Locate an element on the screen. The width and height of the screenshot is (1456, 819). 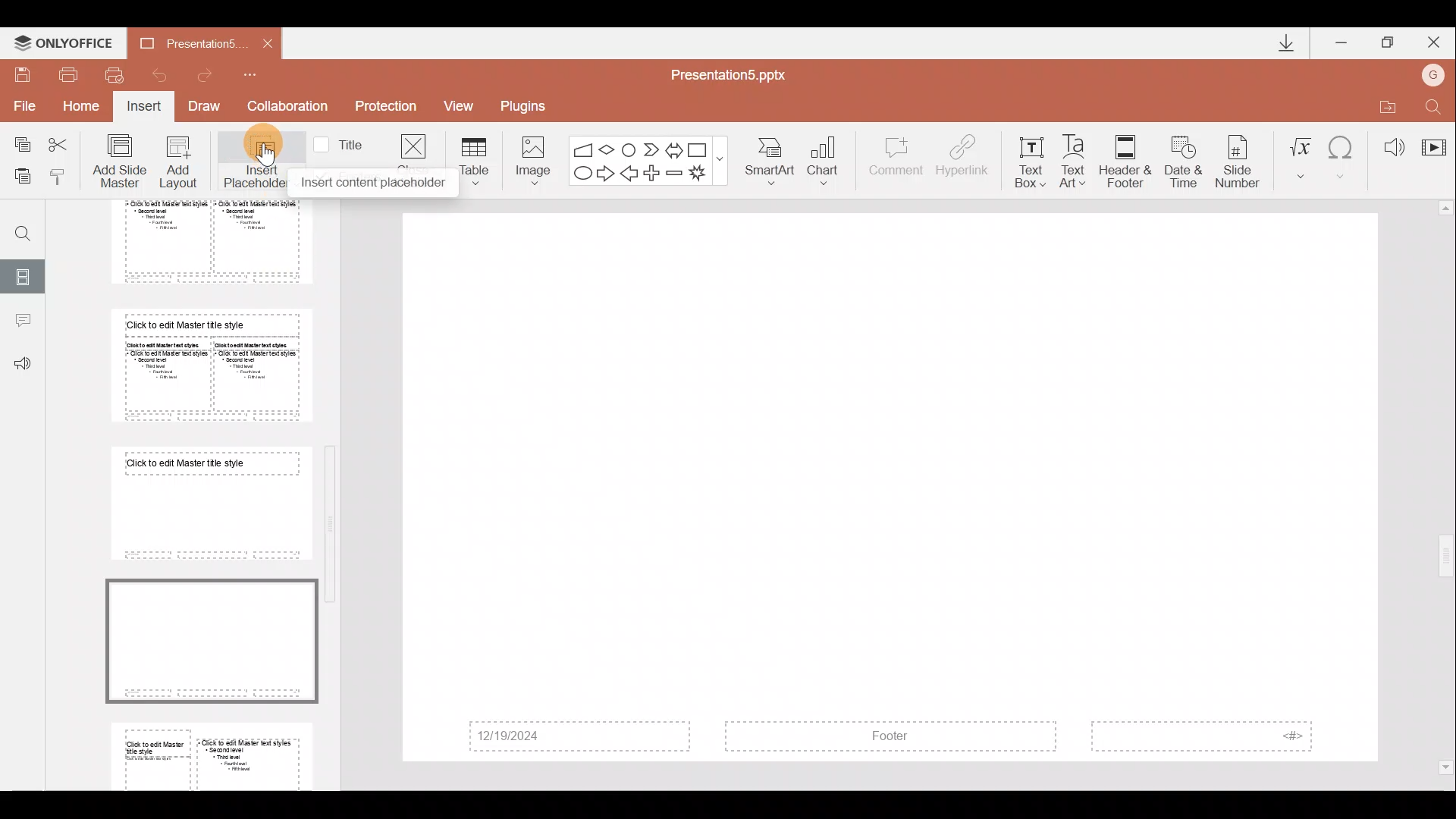
Close is located at coordinates (1436, 39).